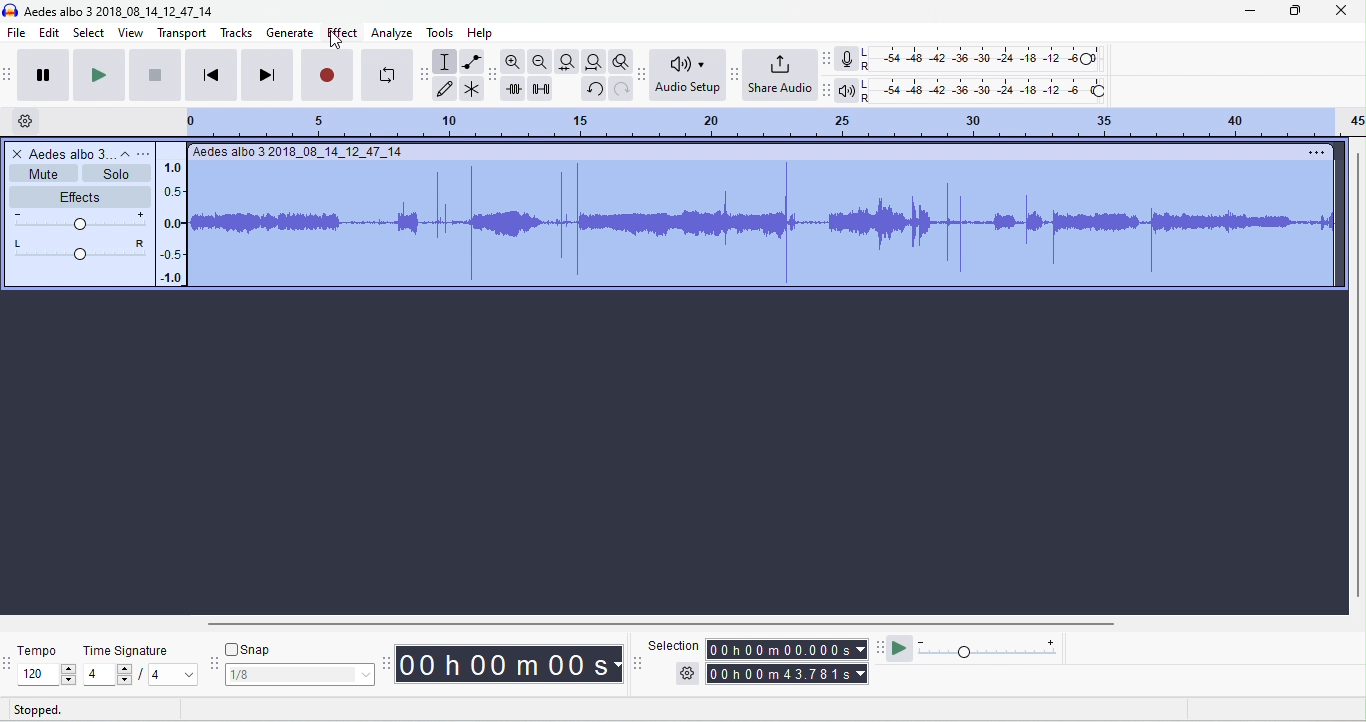 The image size is (1366, 722). Describe the element at coordinates (446, 90) in the screenshot. I see `draw tool` at that location.